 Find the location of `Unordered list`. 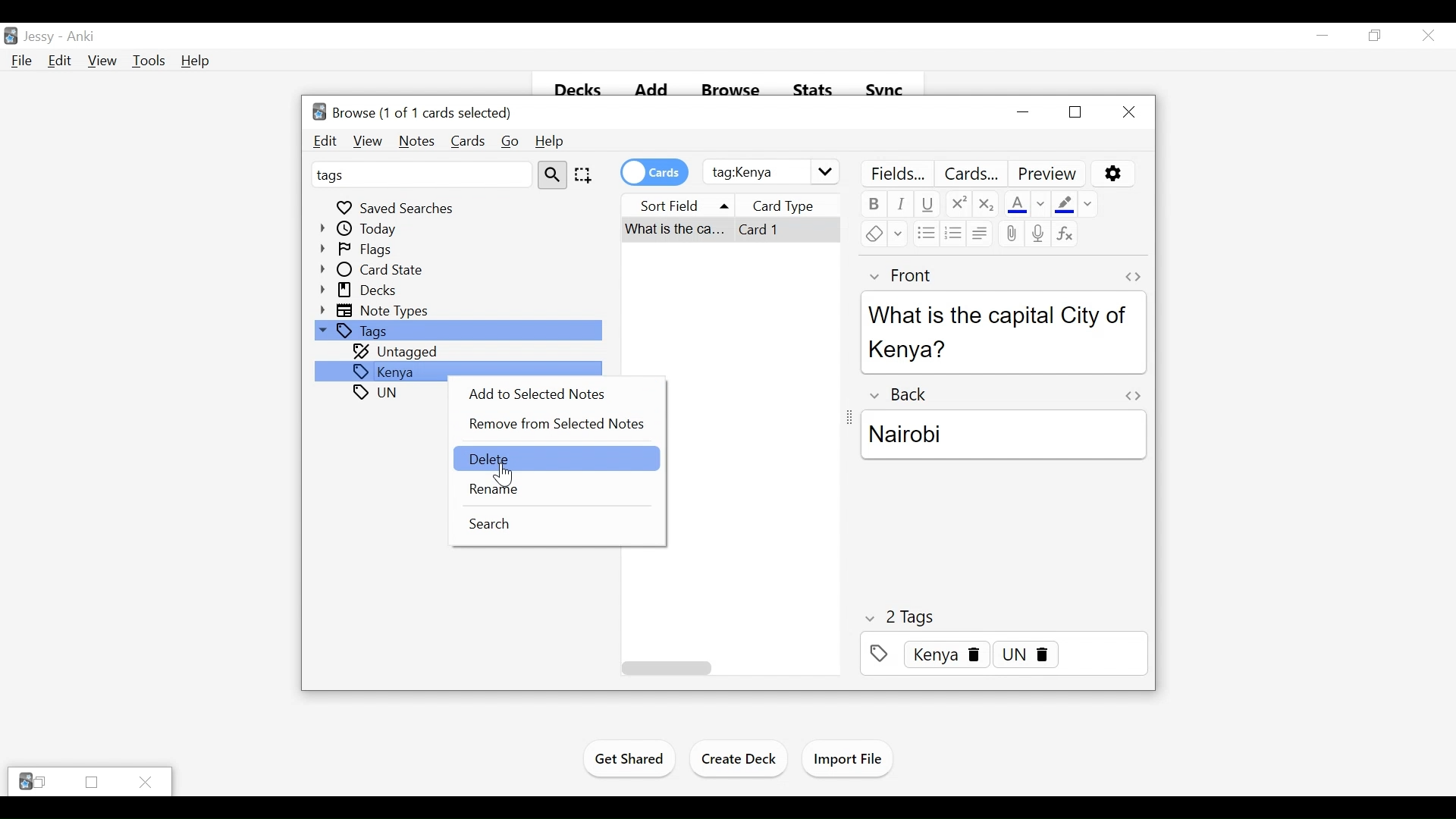

Unordered list is located at coordinates (926, 233).